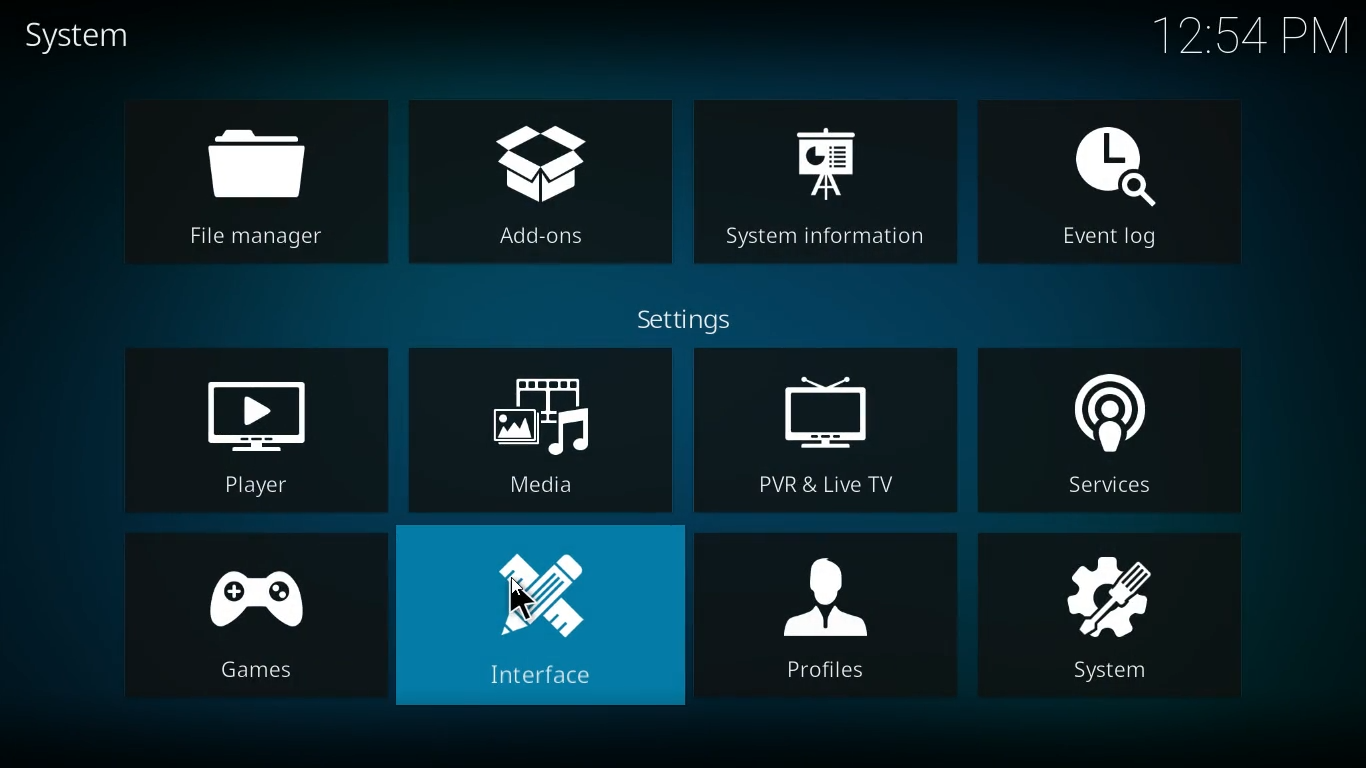 Image resolution: width=1366 pixels, height=768 pixels. Describe the element at coordinates (254, 614) in the screenshot. I see `games` at that location.